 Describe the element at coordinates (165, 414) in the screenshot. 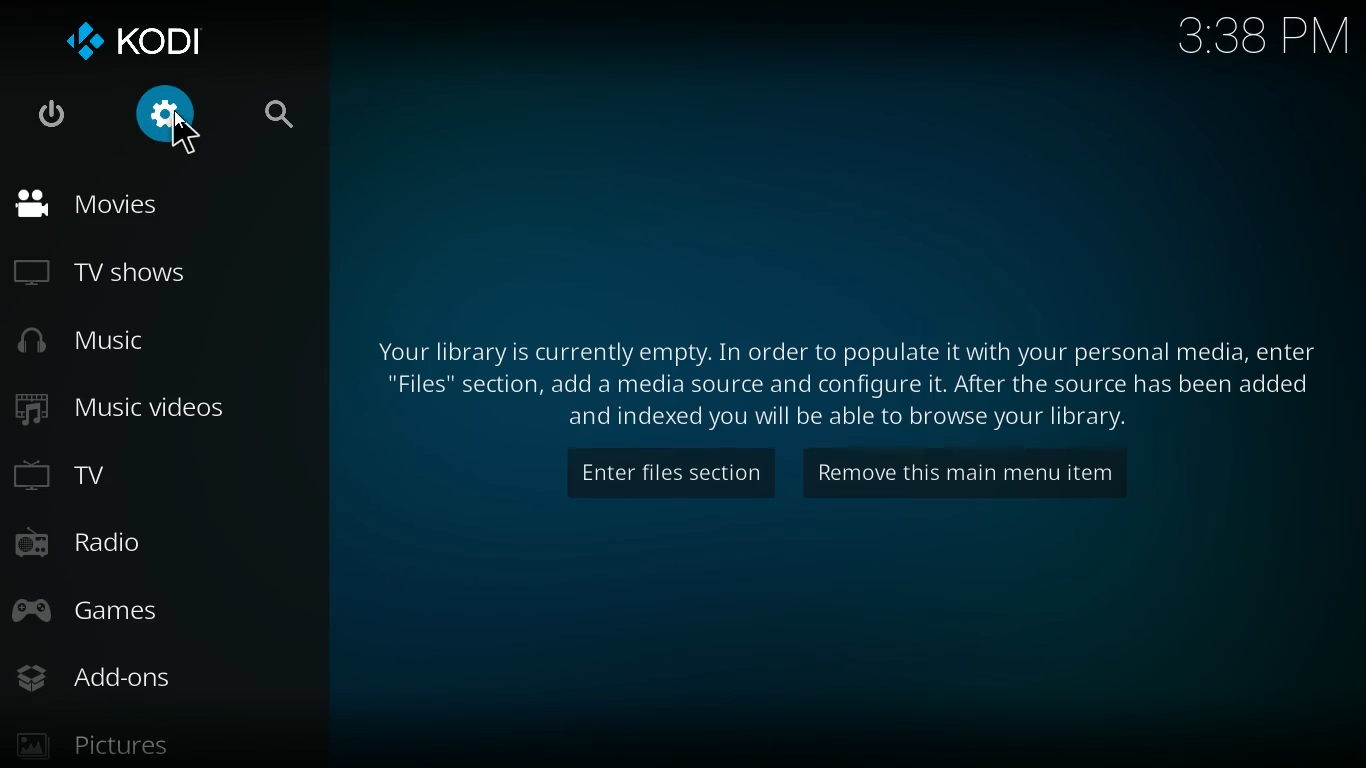

I see `music videos` at that location.